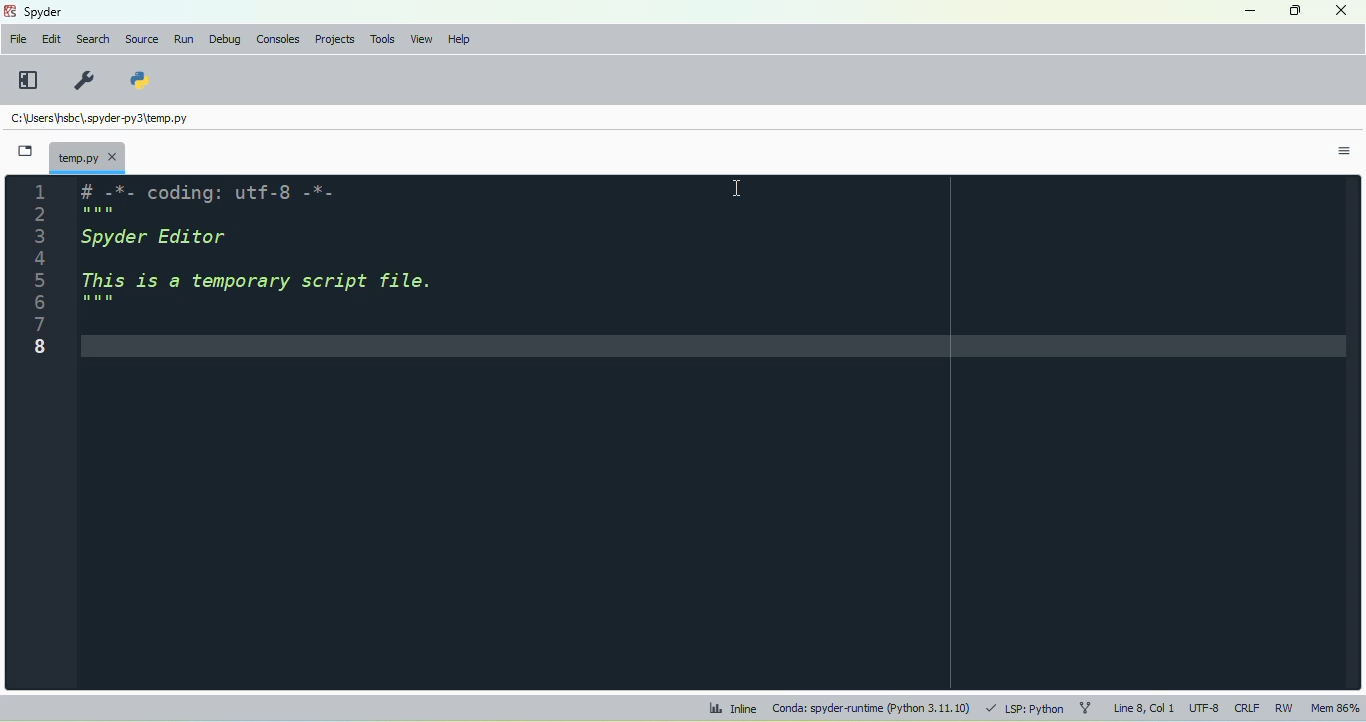  What do you see at coordinates (44, 12) in the screenshot?
I see `spyder` at bounding box center [44, 12].